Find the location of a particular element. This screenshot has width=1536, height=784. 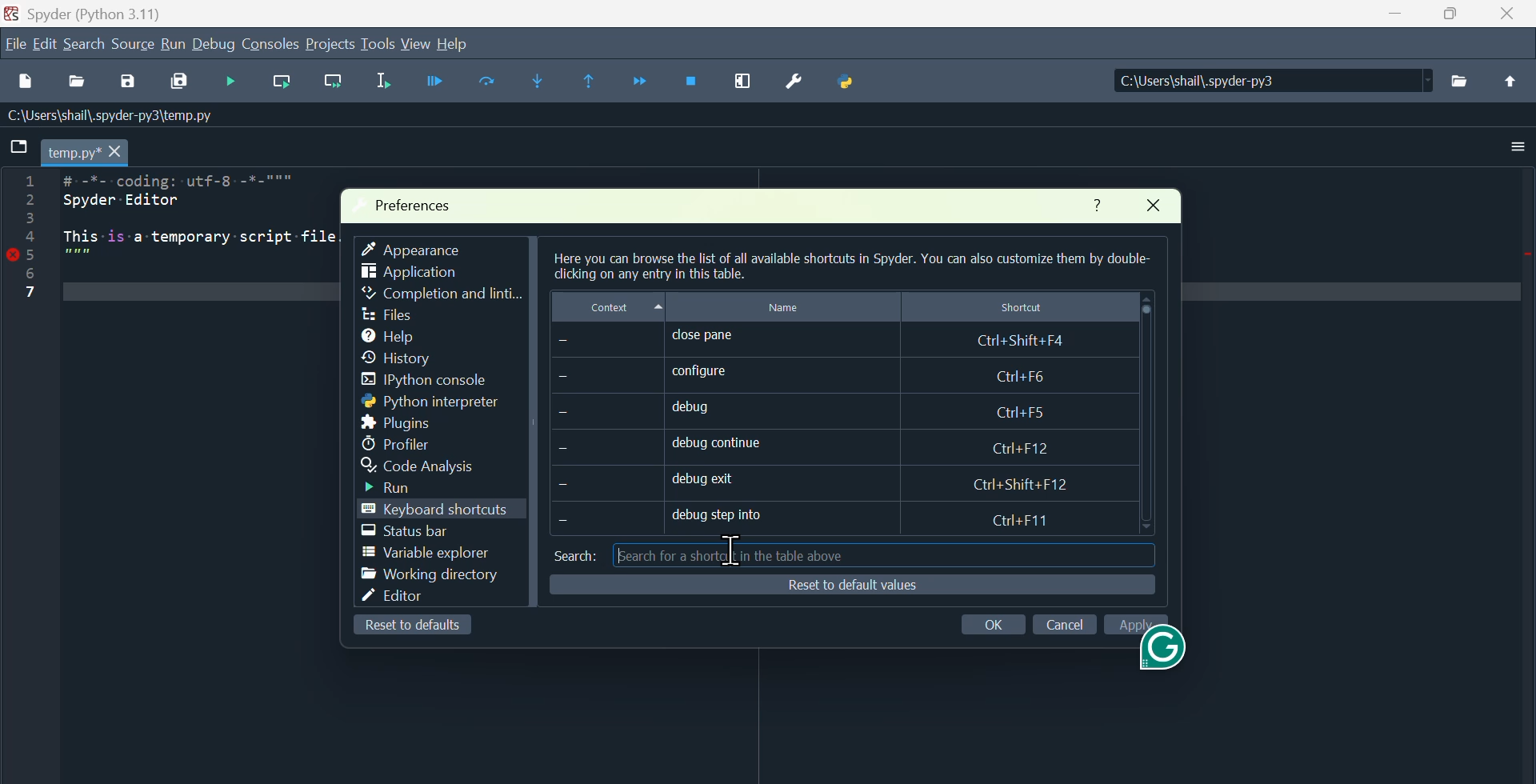

Step in to function is located at coordinates (549, 81).